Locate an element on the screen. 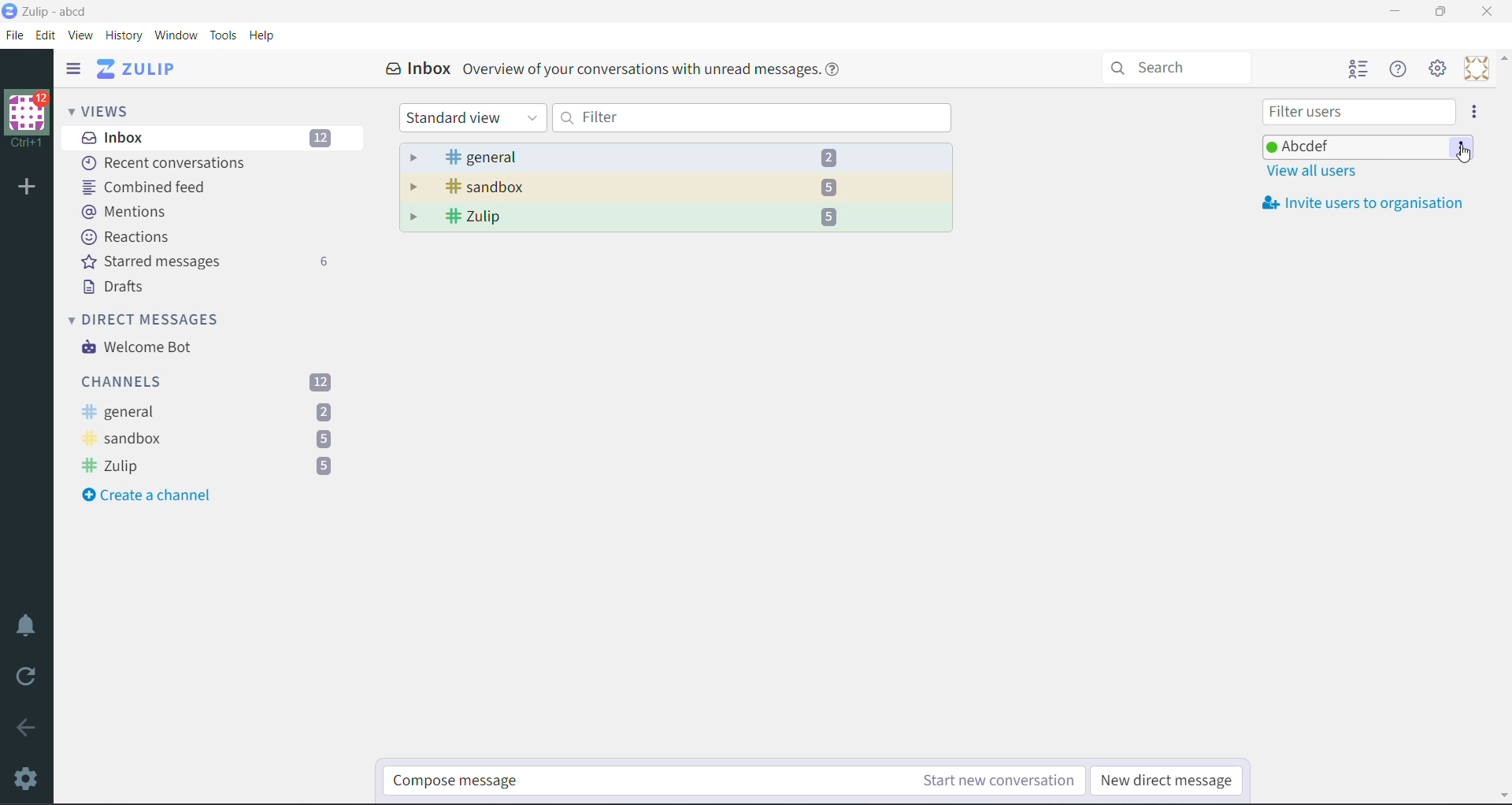 This screenshot has height=805, width=1512. Restore Down is located at coordinates (1440, 13).